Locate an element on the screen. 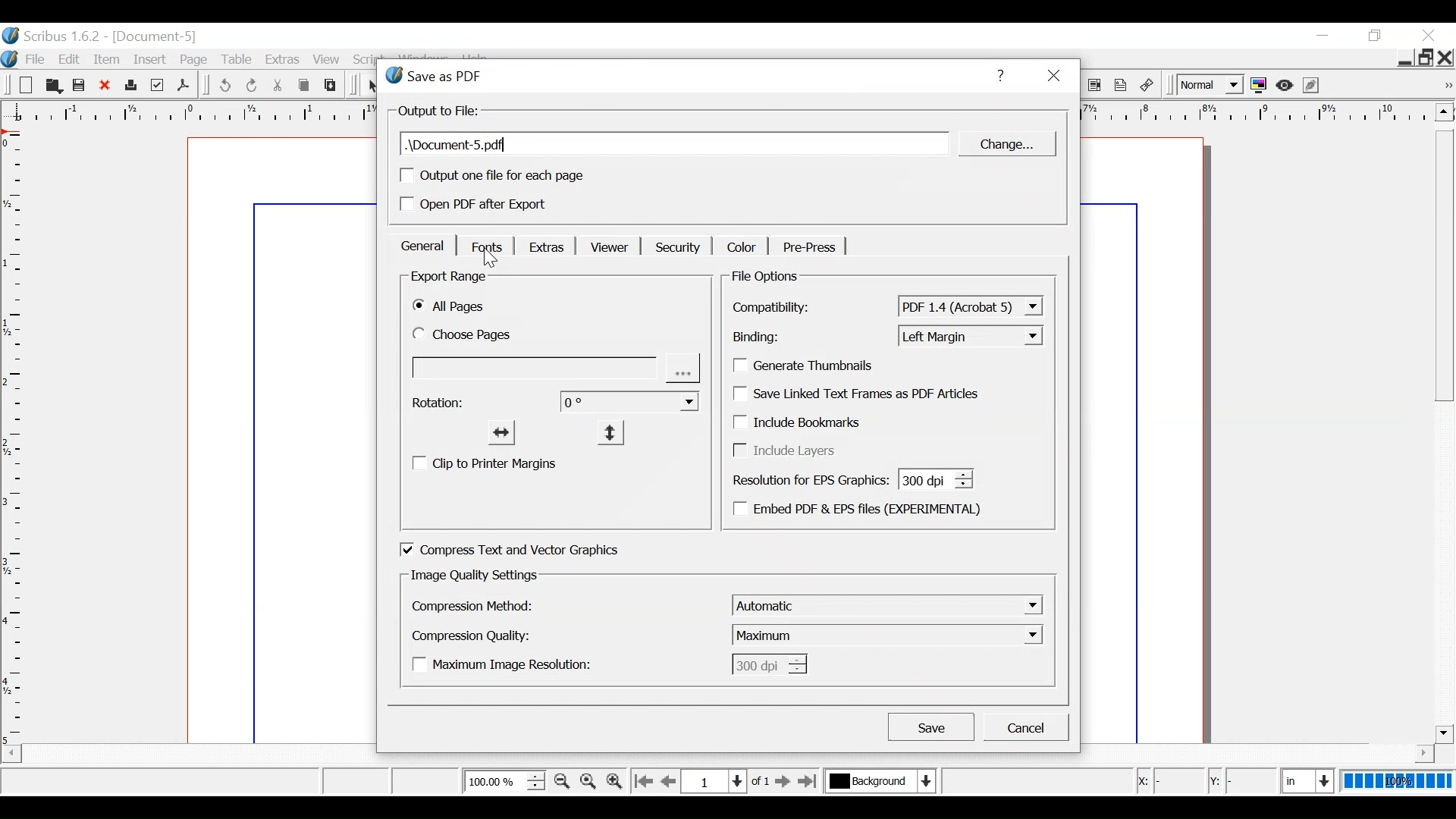 The height and width of the screenshot is (819, 1456). Color is located at coordinates (739, 246).